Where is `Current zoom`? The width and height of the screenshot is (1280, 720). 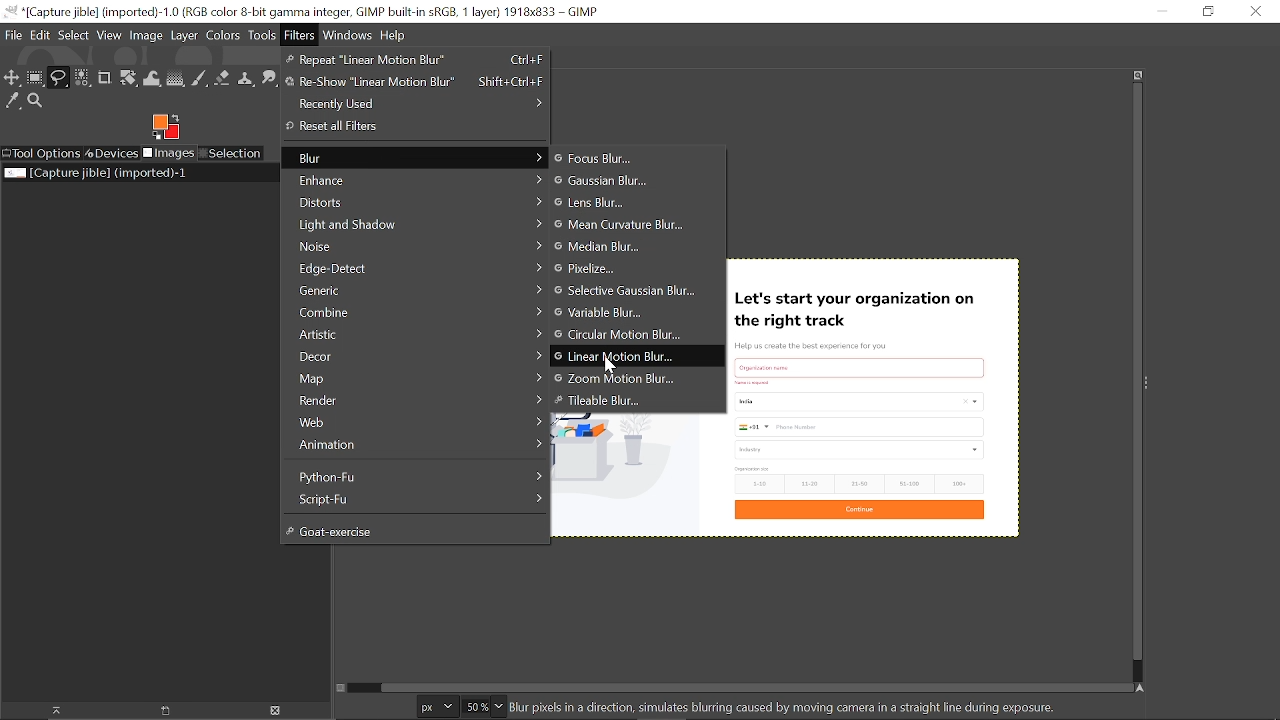
Current zoom is located at coordinates (474, 706).